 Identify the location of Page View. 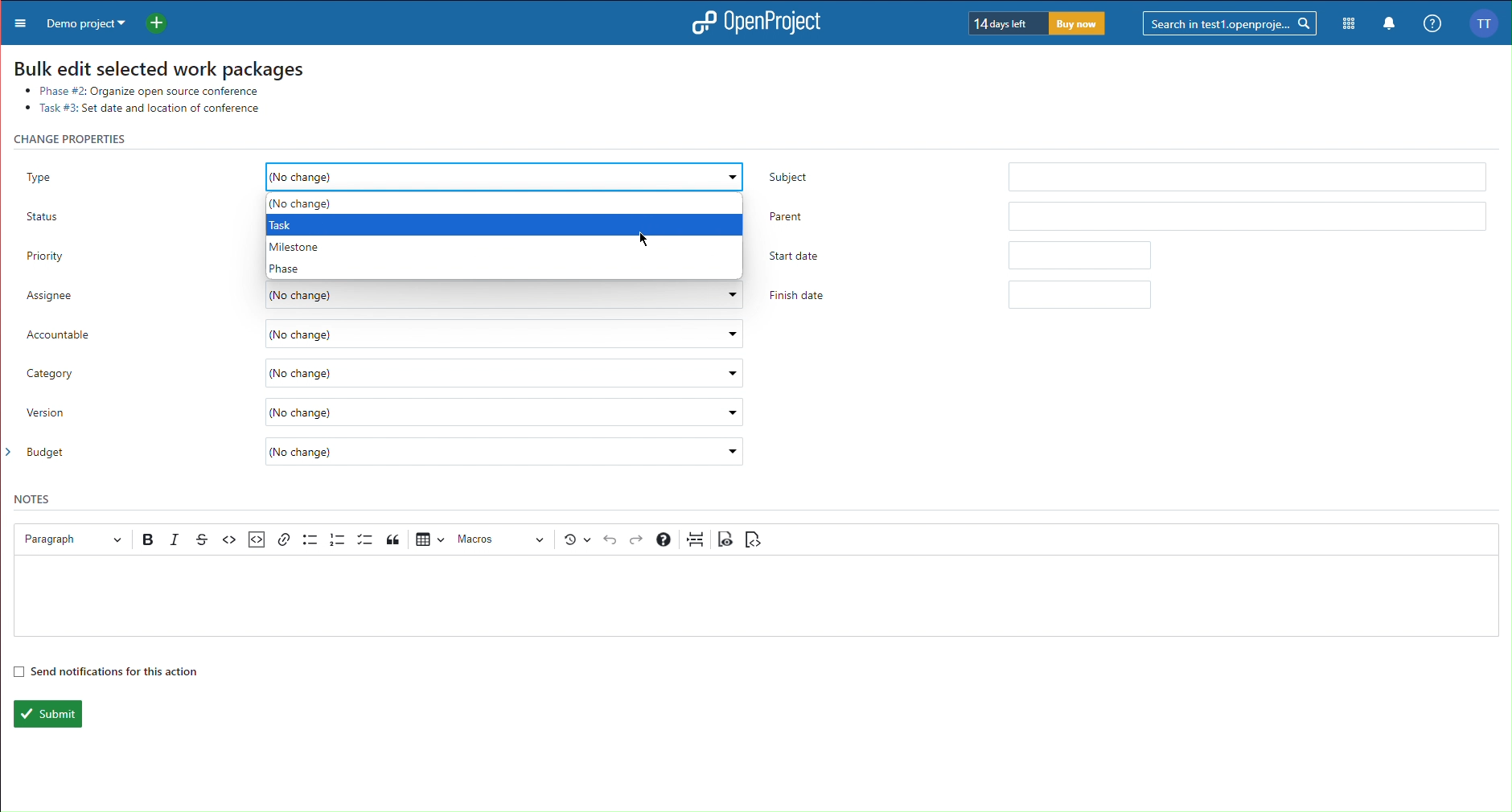
(726, 539).